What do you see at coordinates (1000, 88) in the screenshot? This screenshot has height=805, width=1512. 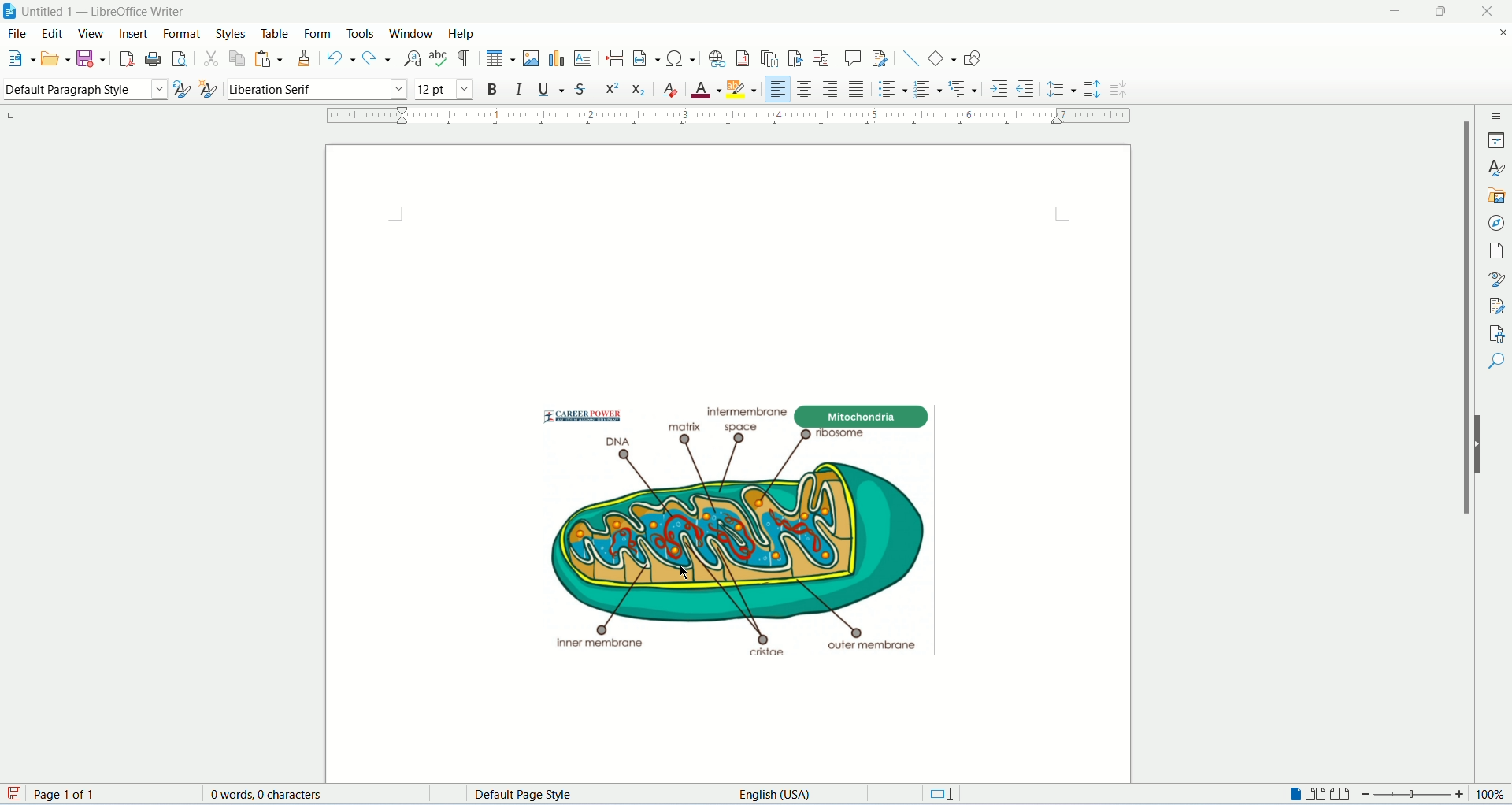 I see `increase indent` at bounding box center [1000, 88].